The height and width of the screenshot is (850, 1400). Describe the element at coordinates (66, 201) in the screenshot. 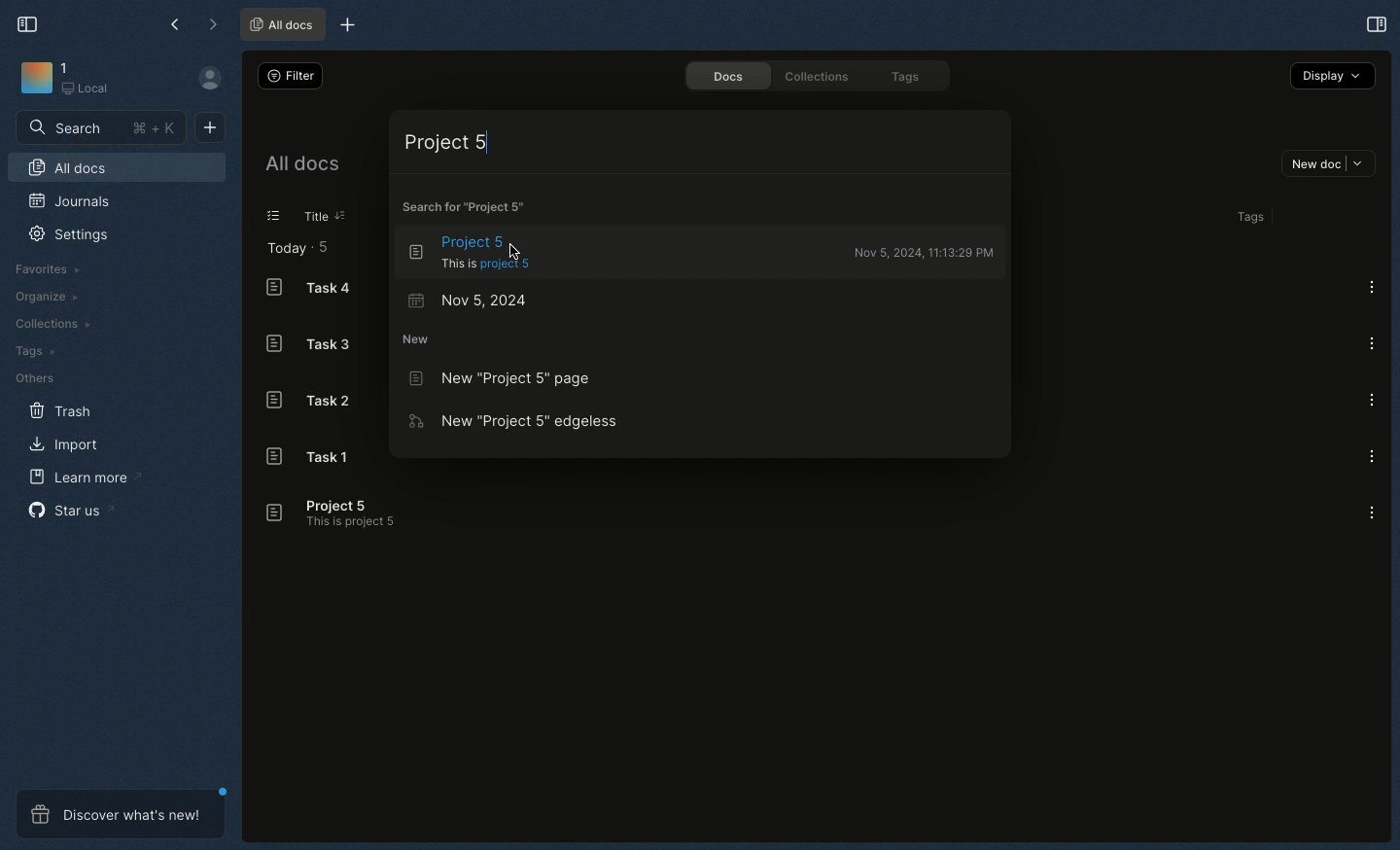

I see `Journals` at that location.